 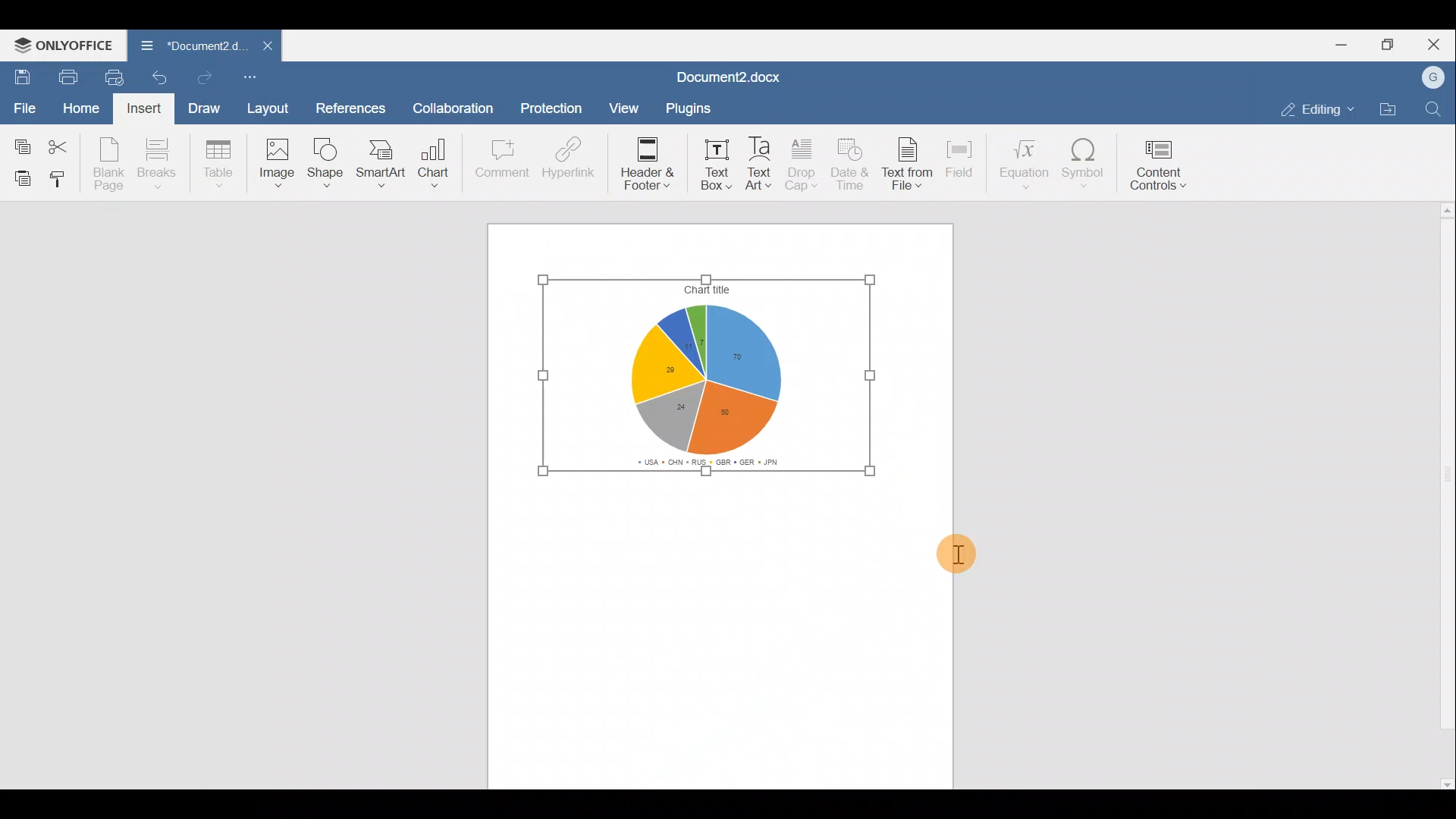 What do you see at coordinates (433, 162) in the screenshot?
I see `Cursor on Chart` at bounding box center [433, 162].